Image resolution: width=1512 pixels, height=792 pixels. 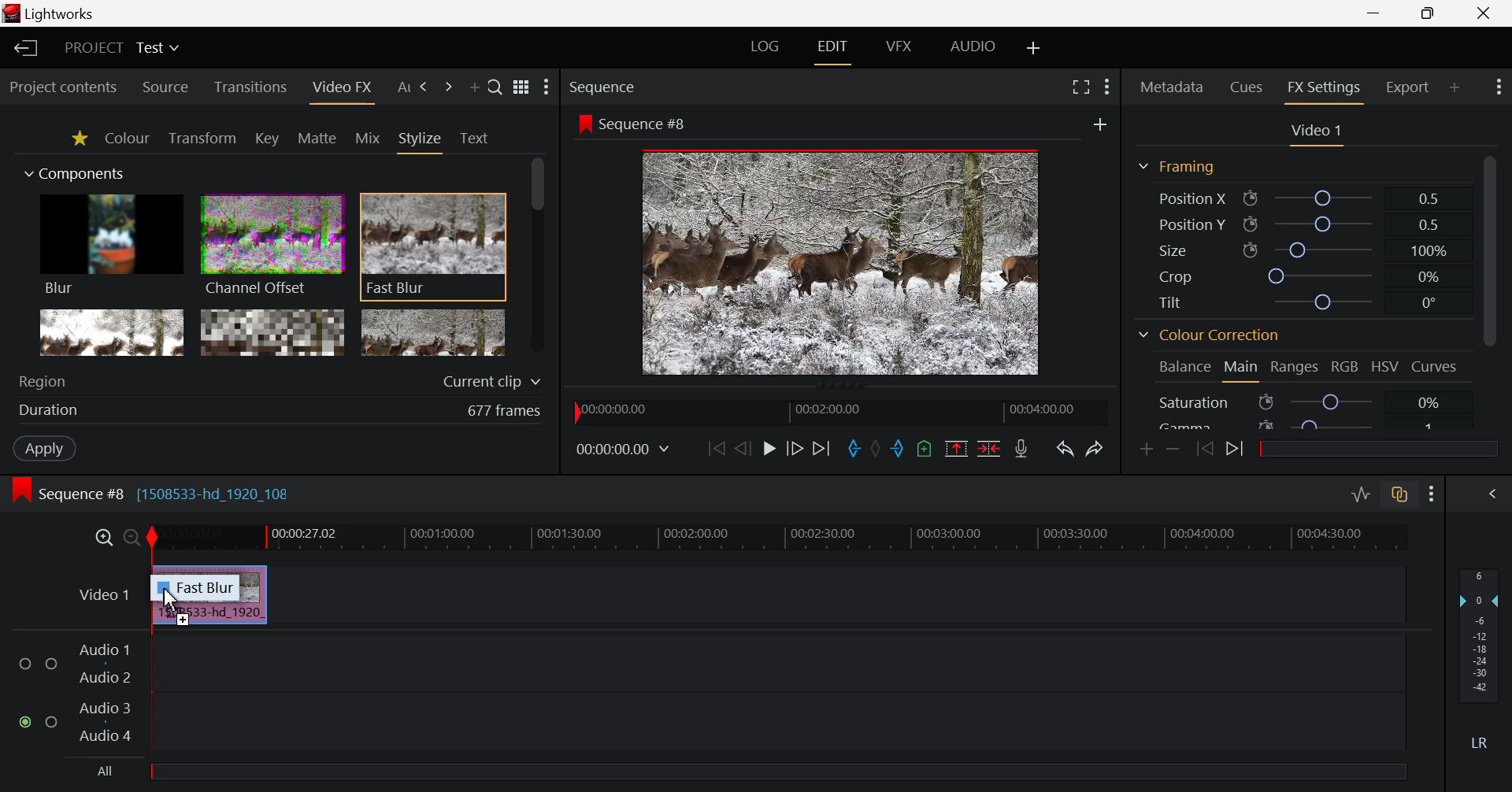 I want to click on Export, so click(x=1409, y=87).